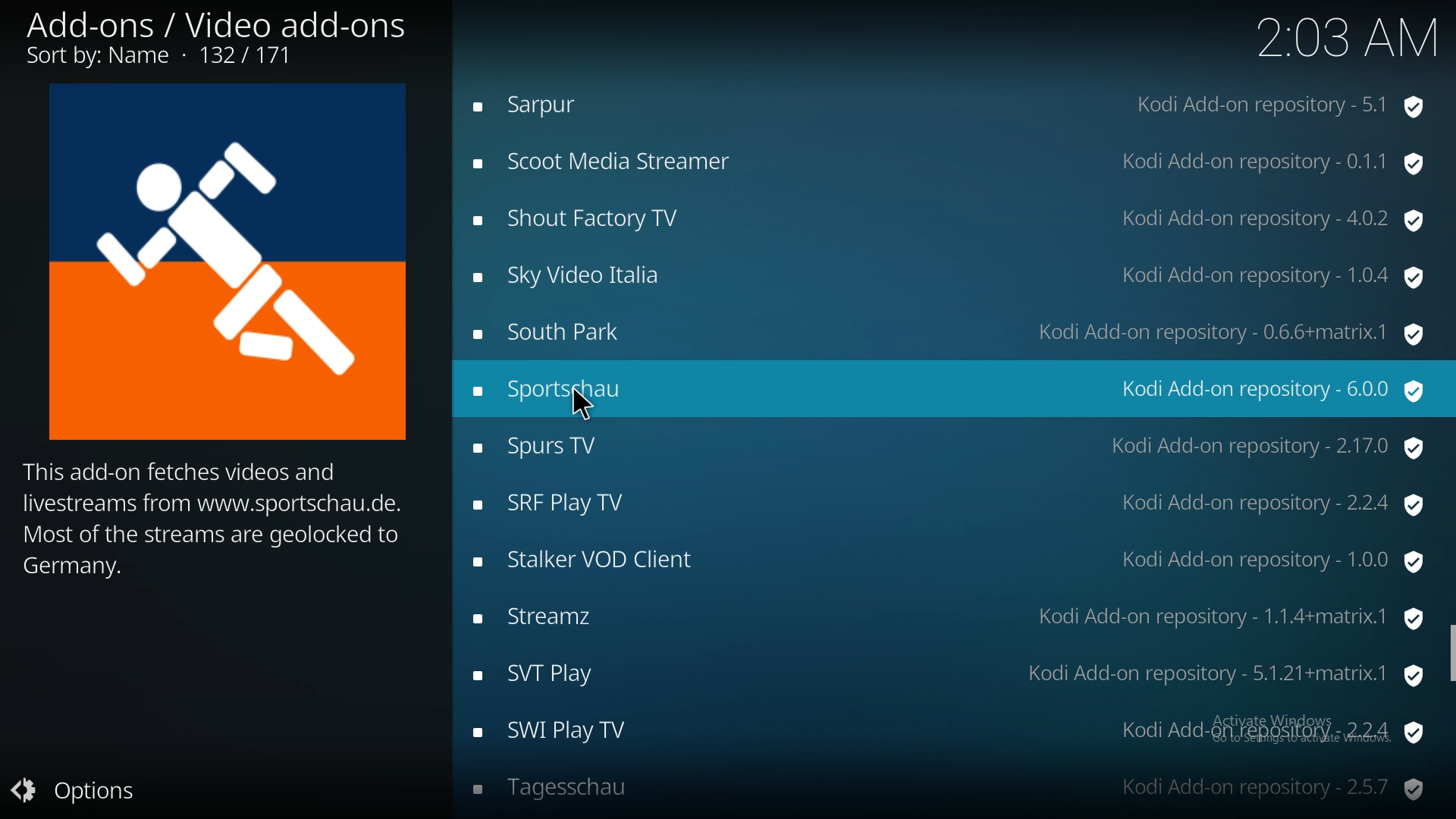 This screenshot has width=1456, height=819. Describe the element at coordinates (1347, 37) in the screenshot. I see `time` at that location.